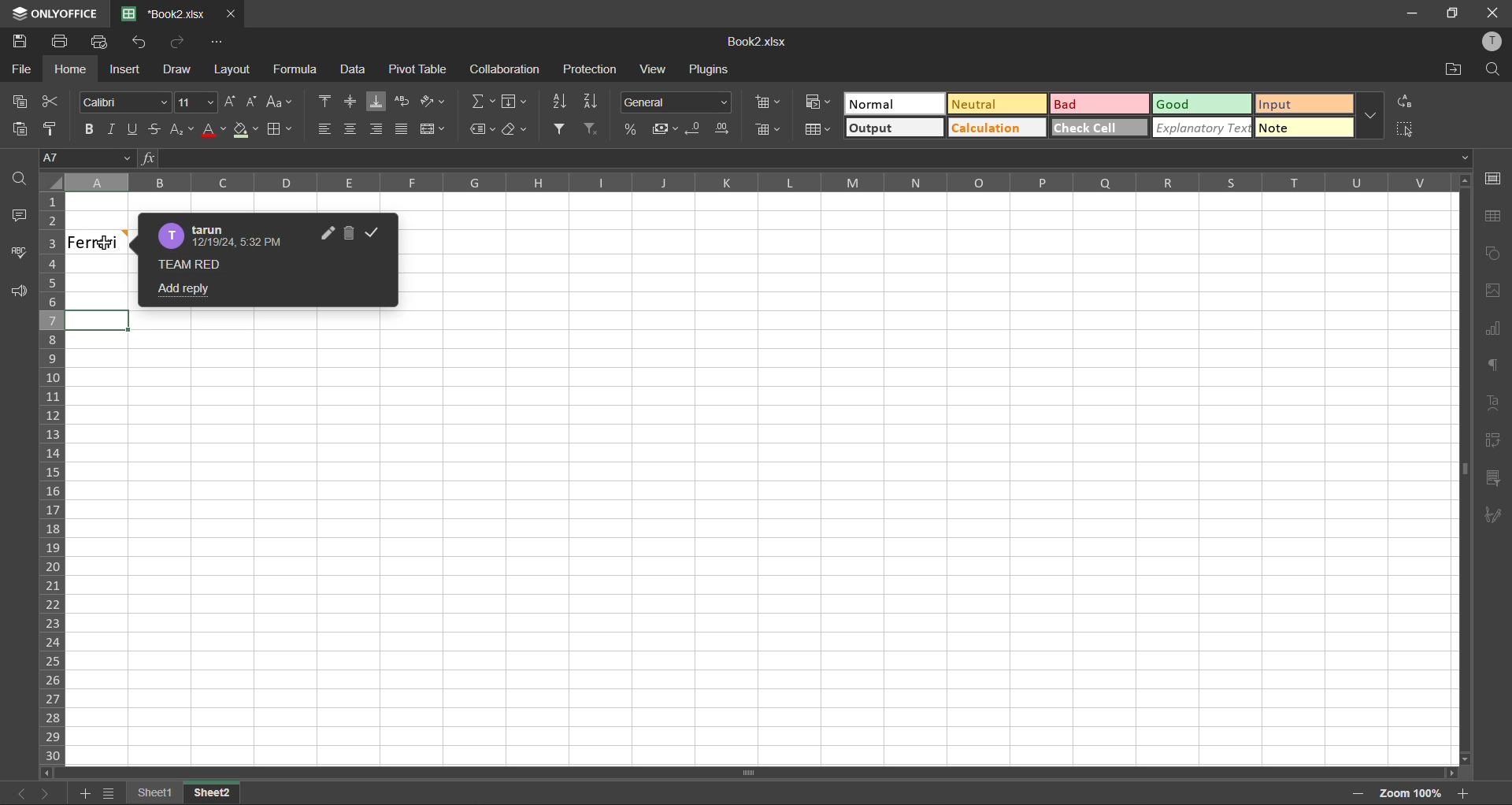 Image resolution: width=1512 pixels, height=805 pixels. Describe the element at coordinates (434, 99) in the screenshot. I see `orientation` at that location.